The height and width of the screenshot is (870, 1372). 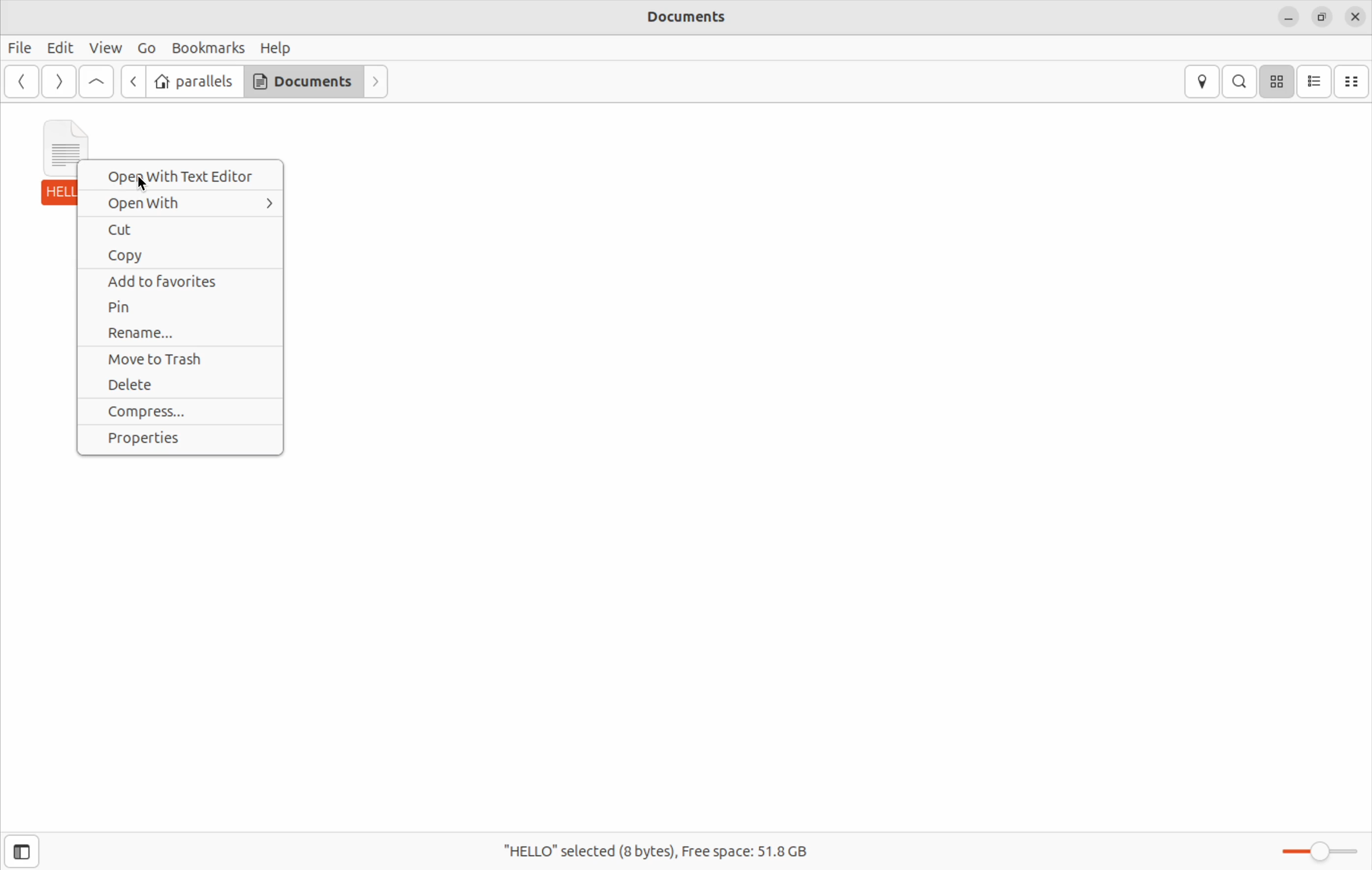 I want to click on back, so click(x=19, y=83).